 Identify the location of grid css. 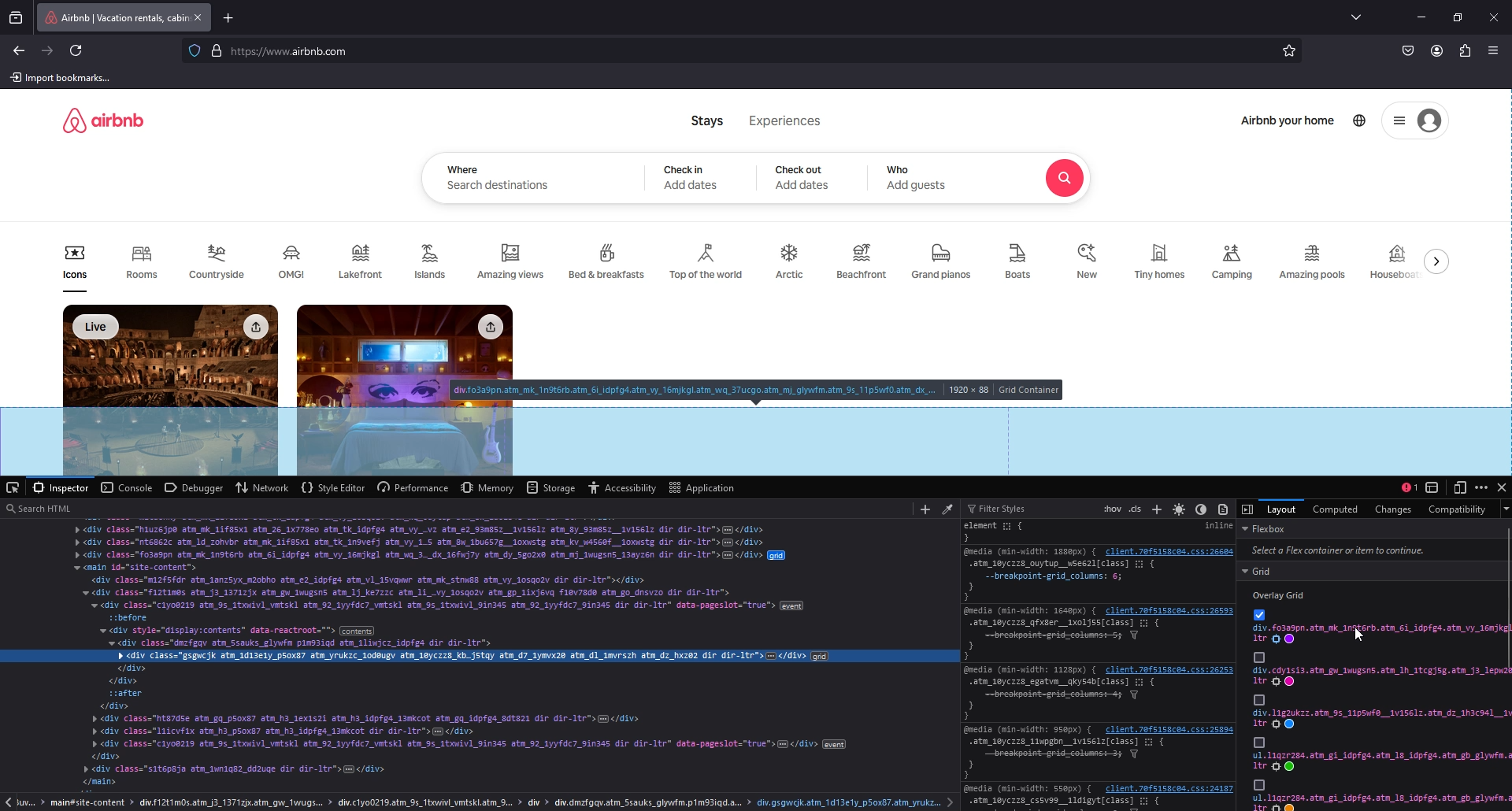
(1380, 761).